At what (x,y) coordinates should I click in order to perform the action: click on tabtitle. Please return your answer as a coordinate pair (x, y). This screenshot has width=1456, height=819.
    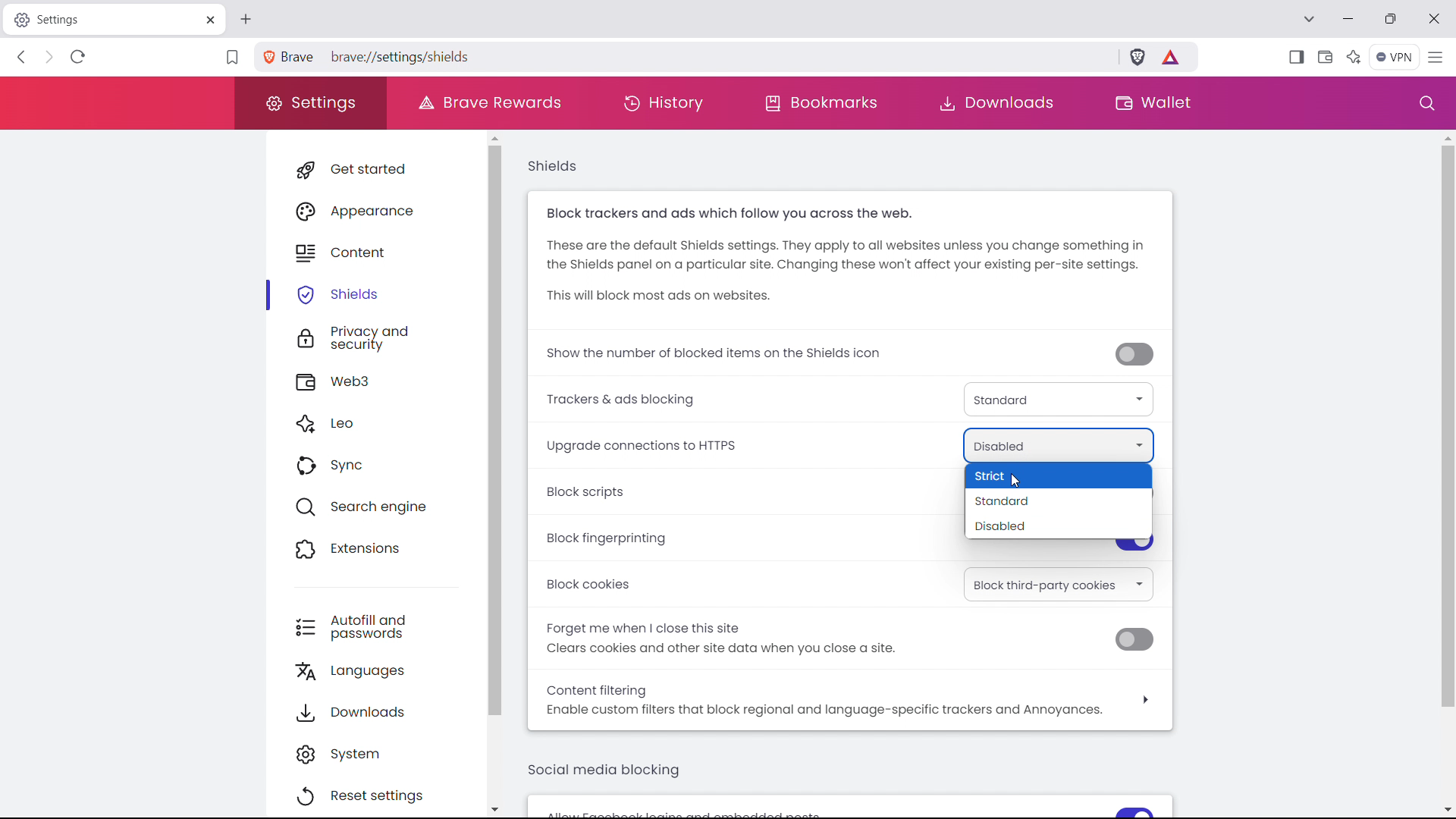
    Looking at the image, I should click on (101, 19).